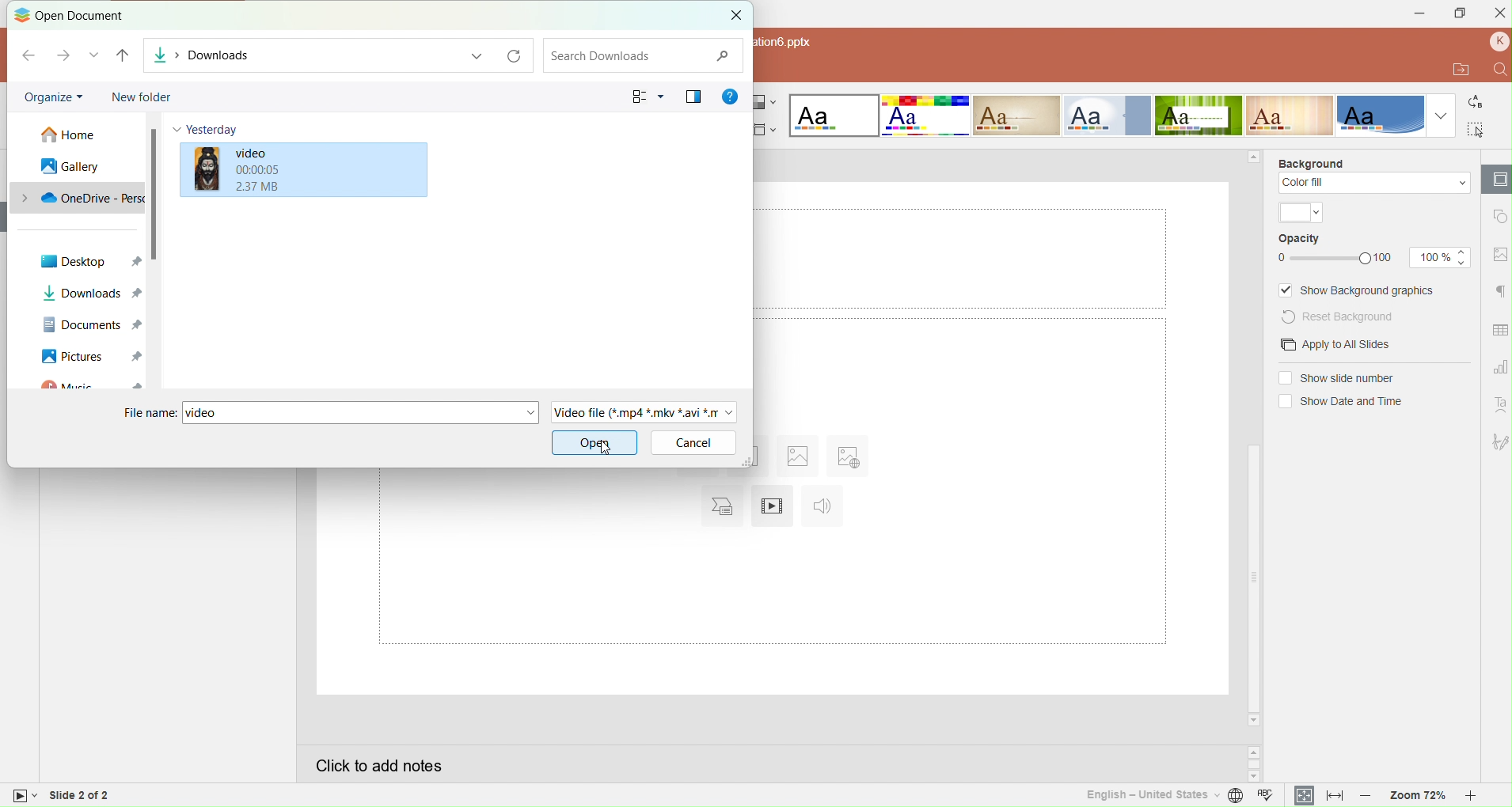  What do you see at coordinates (1419, 796) in the screenshot?
I see `Zoom 72%` at bounding box center [1419, 796].